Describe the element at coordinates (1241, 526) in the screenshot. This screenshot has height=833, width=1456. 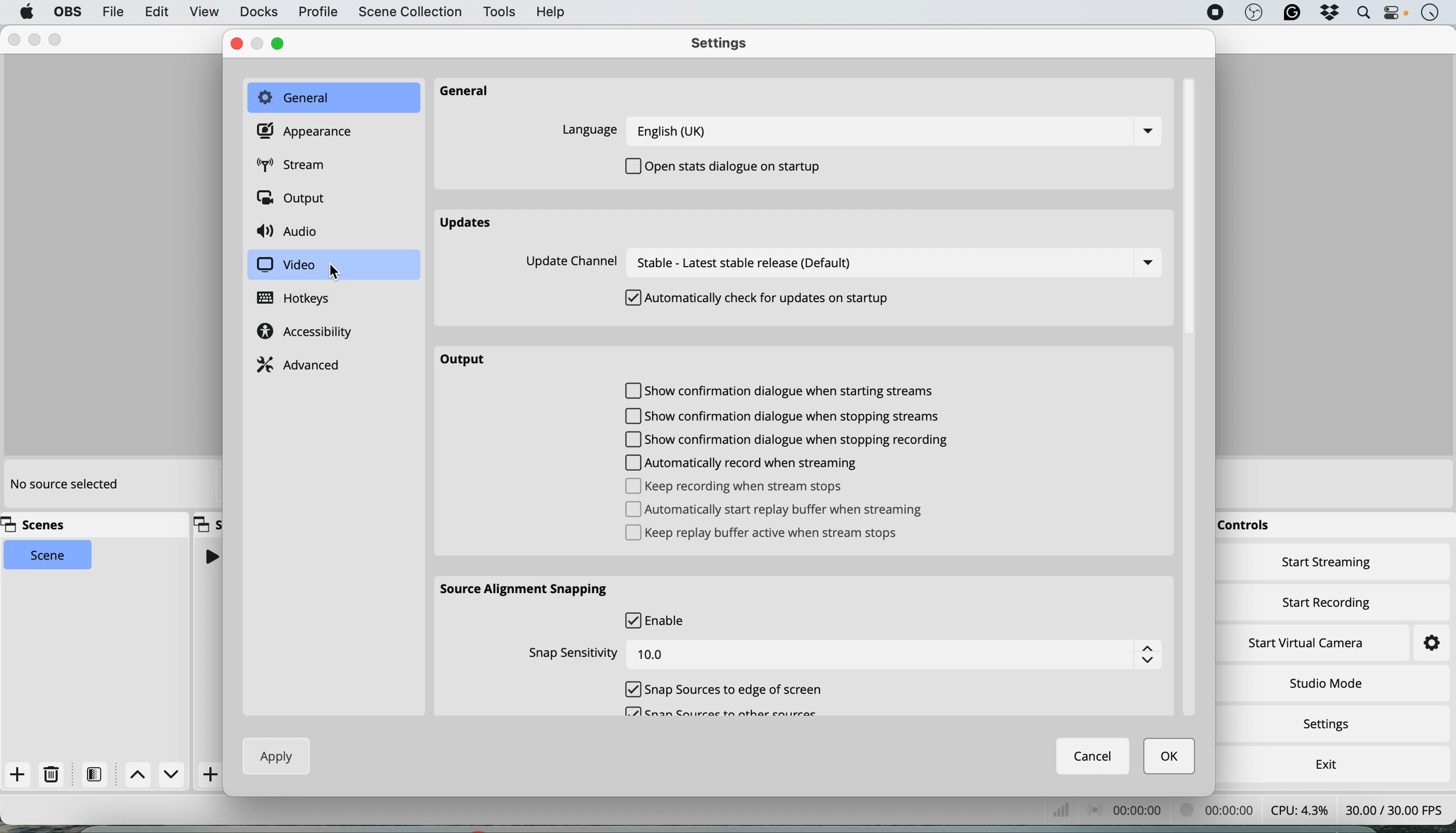
I see `controls` at that location.